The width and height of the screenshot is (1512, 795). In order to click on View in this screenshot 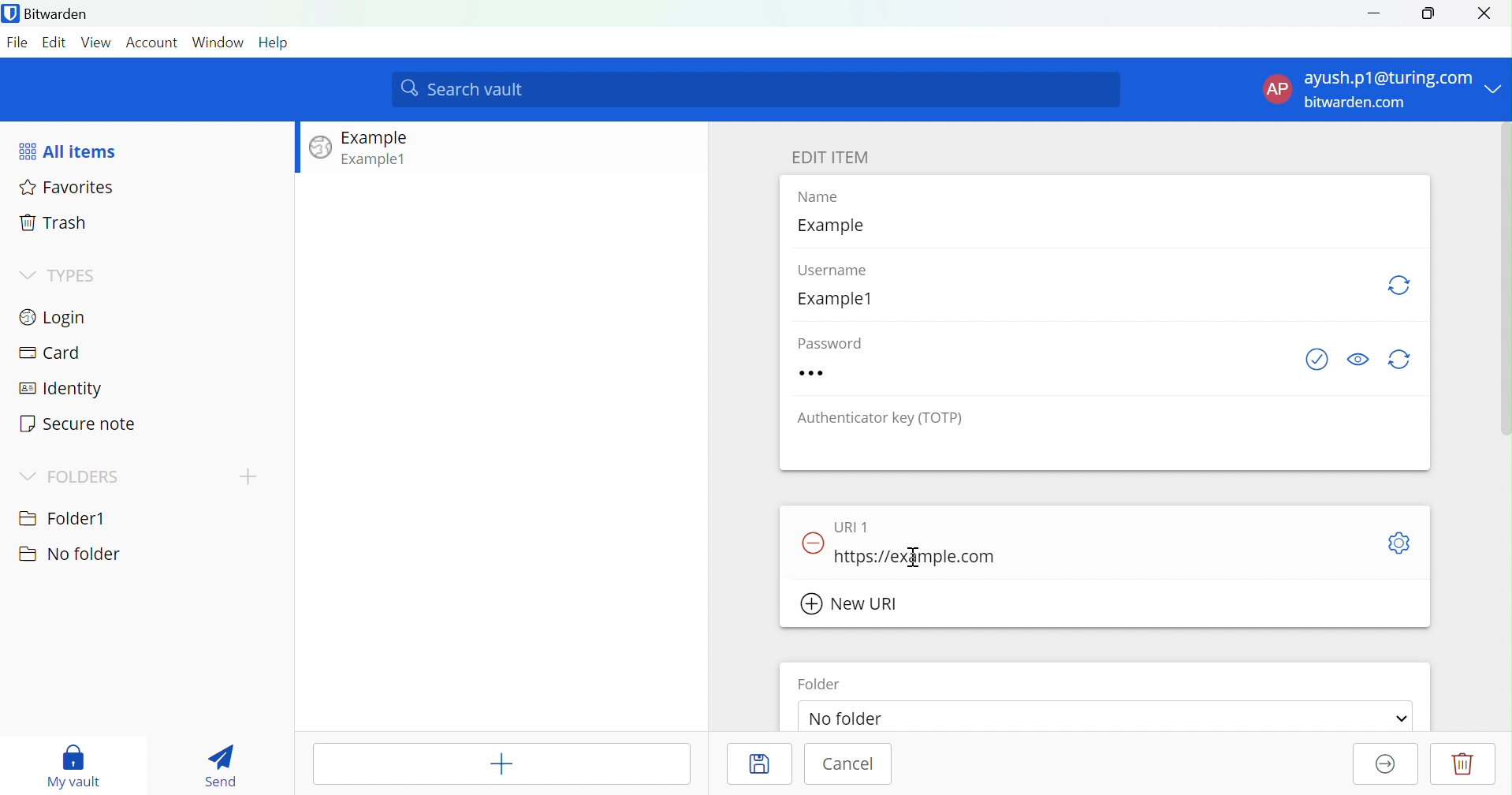, I will do `click(98, 42)`.